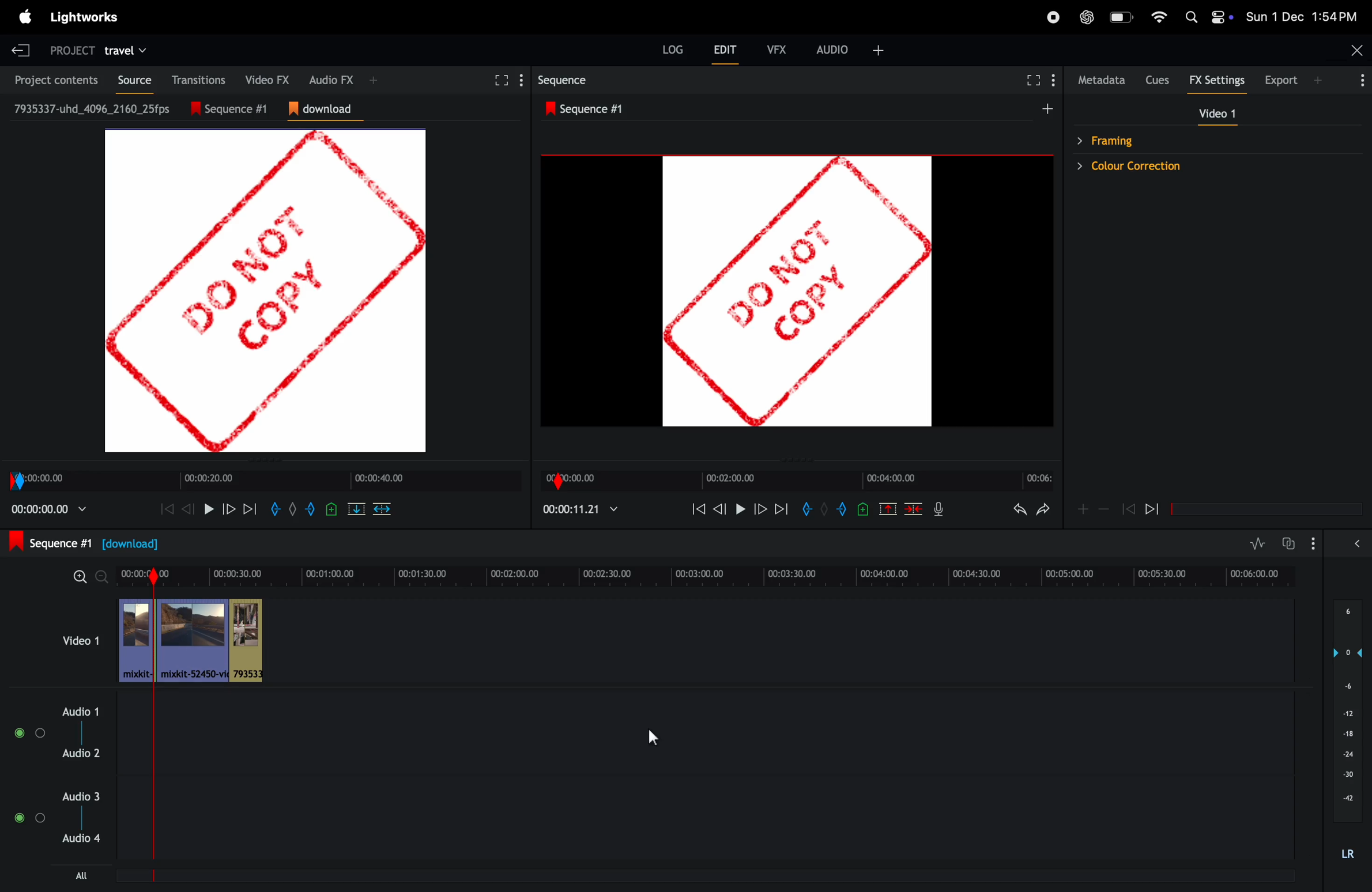 The image size is (1372, 892). What do you see at coordinates (843, 509) in the screenshot?
I see `add out` at bounding box center [843, 509].